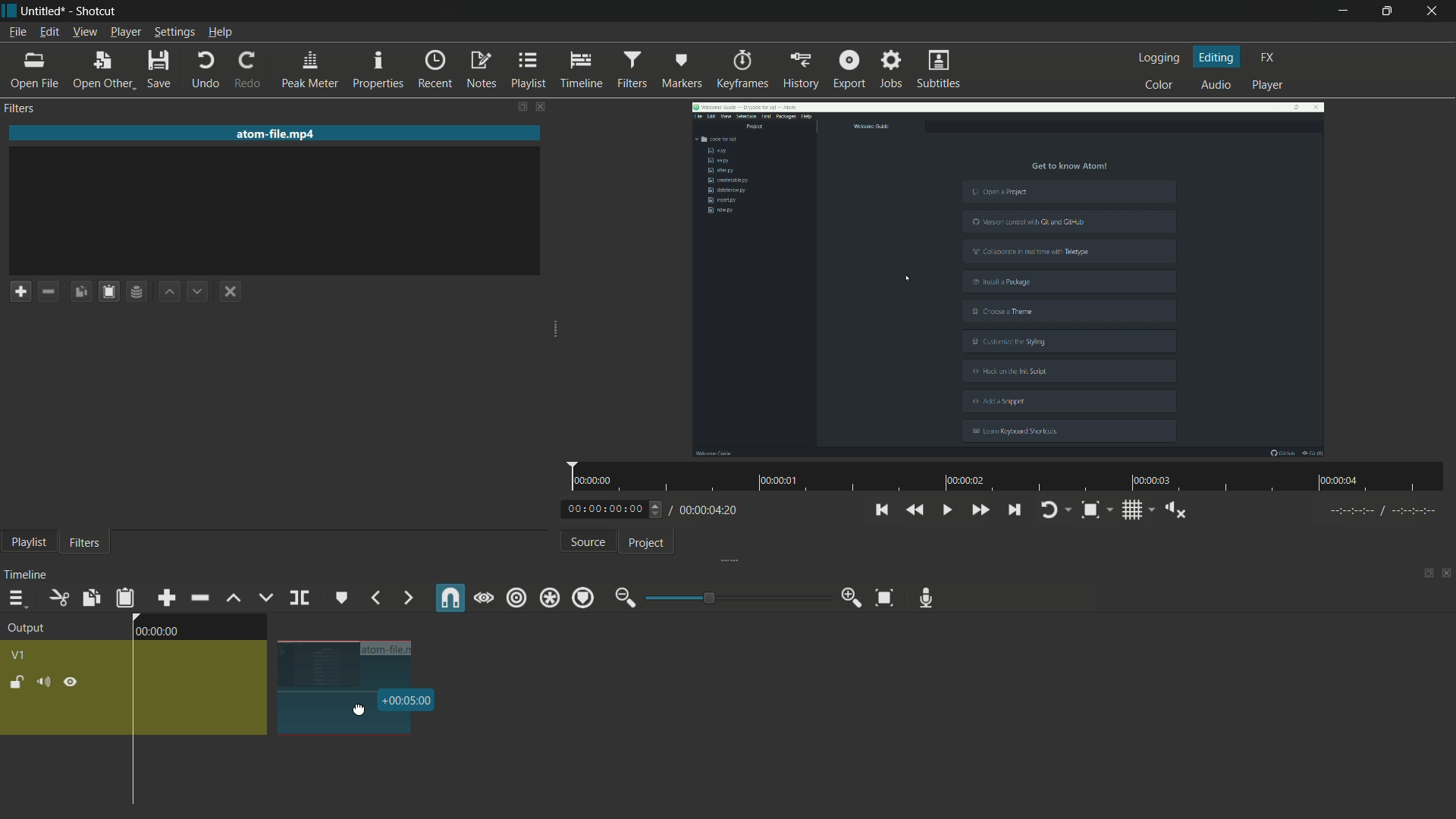 This screenshot has height=819, width=1456. What do you see at coordinates (406, 598) in the screenshot?
I see `next marker` at bounding box center [406, 598].